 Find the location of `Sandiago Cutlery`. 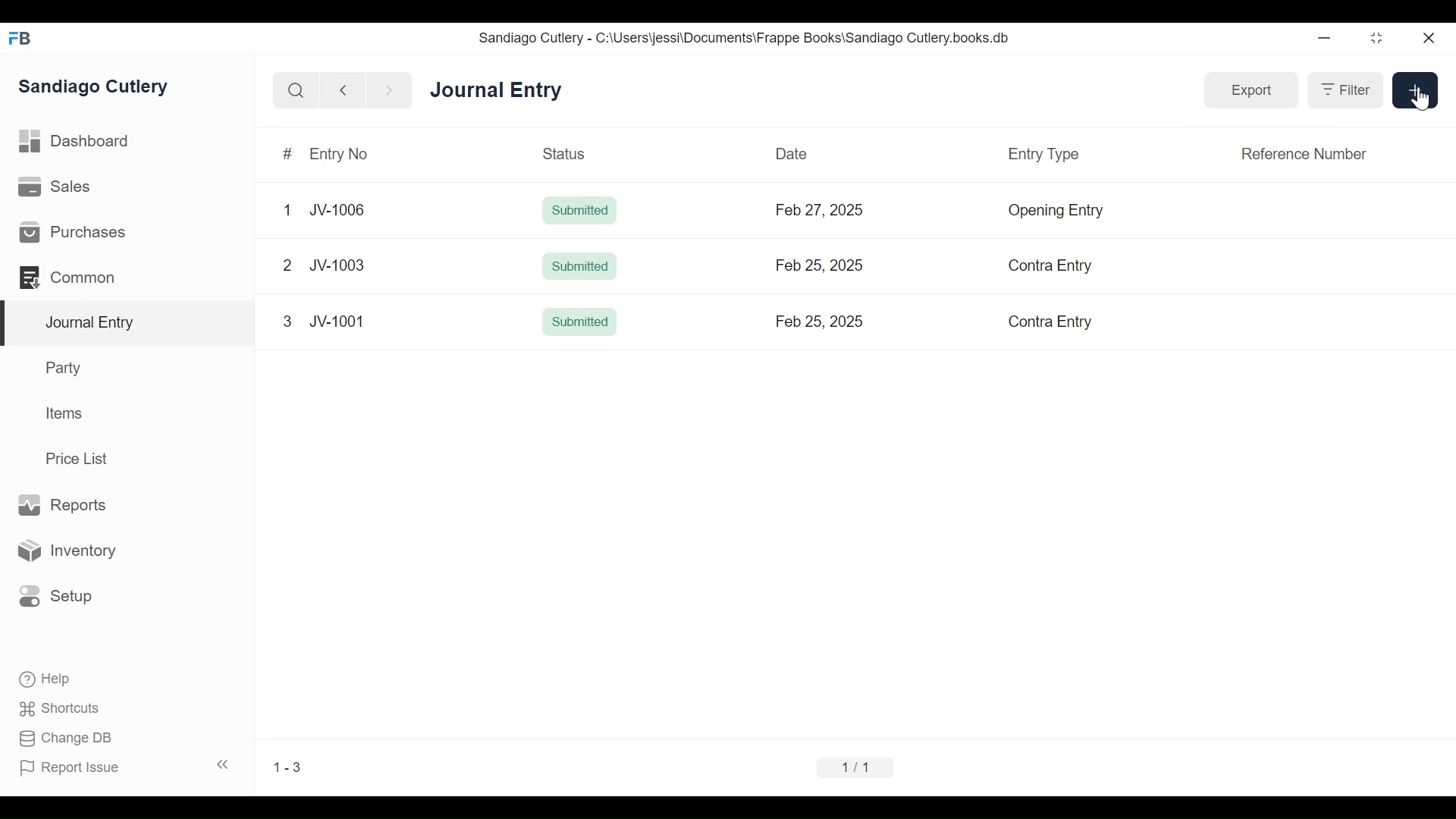

Sandiago Cutlery is located at coordinates (102, 88).